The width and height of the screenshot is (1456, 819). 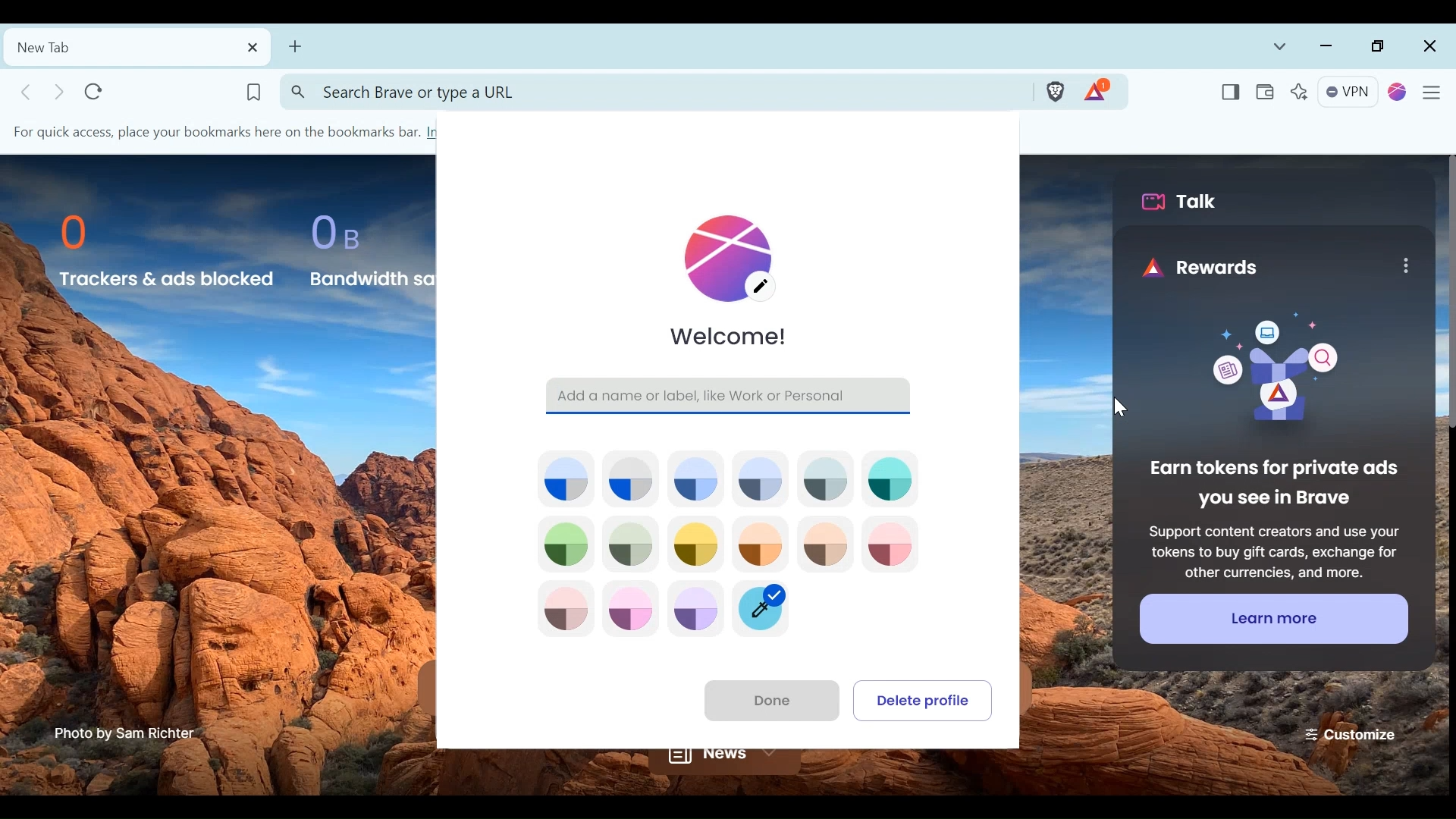 I want to click on Image, so click(x=1265, y=372).